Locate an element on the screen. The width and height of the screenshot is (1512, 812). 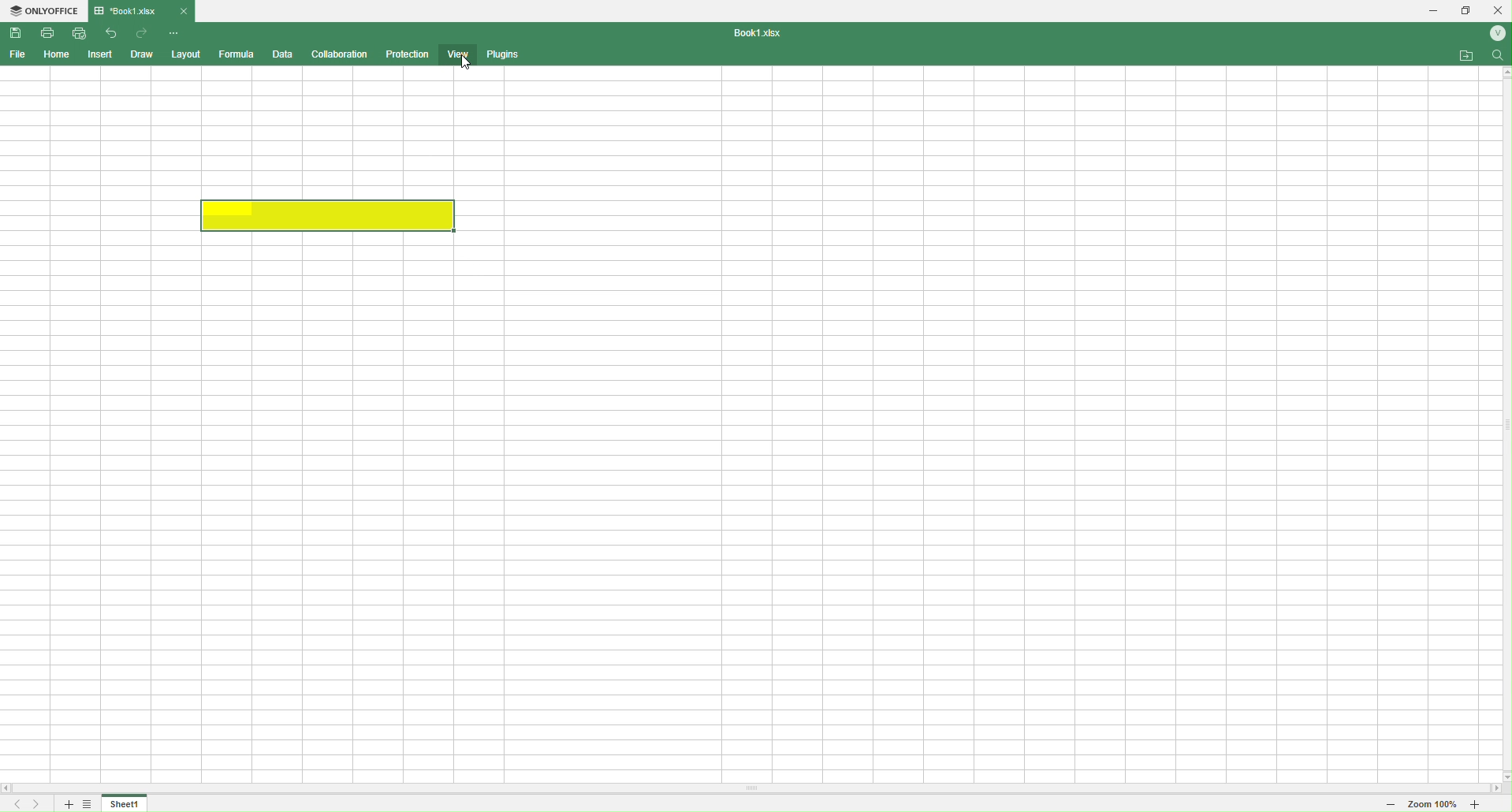
Open file location is located at coordinates (1459, 54).